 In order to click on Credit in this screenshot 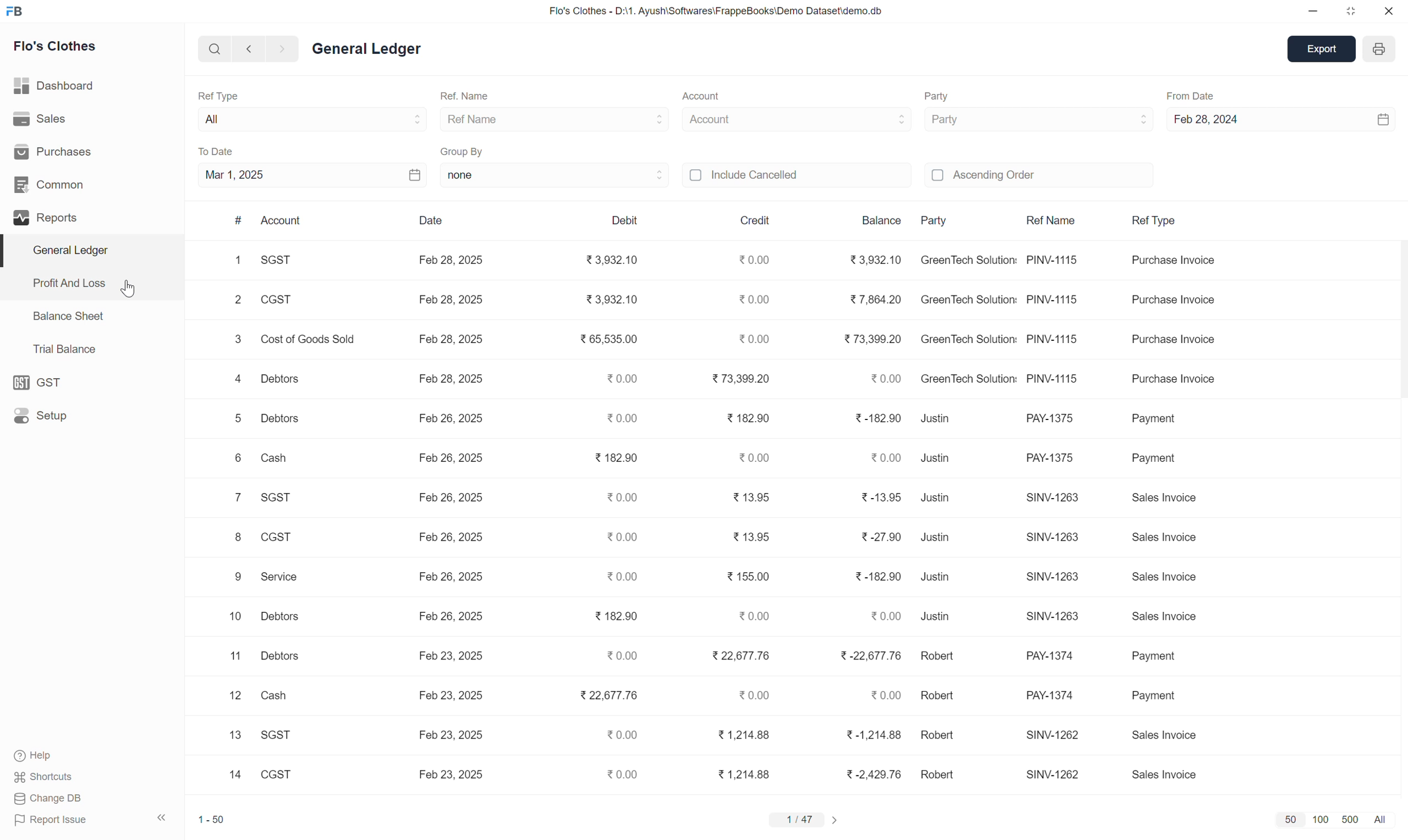, I will do `click(762, 222)`.